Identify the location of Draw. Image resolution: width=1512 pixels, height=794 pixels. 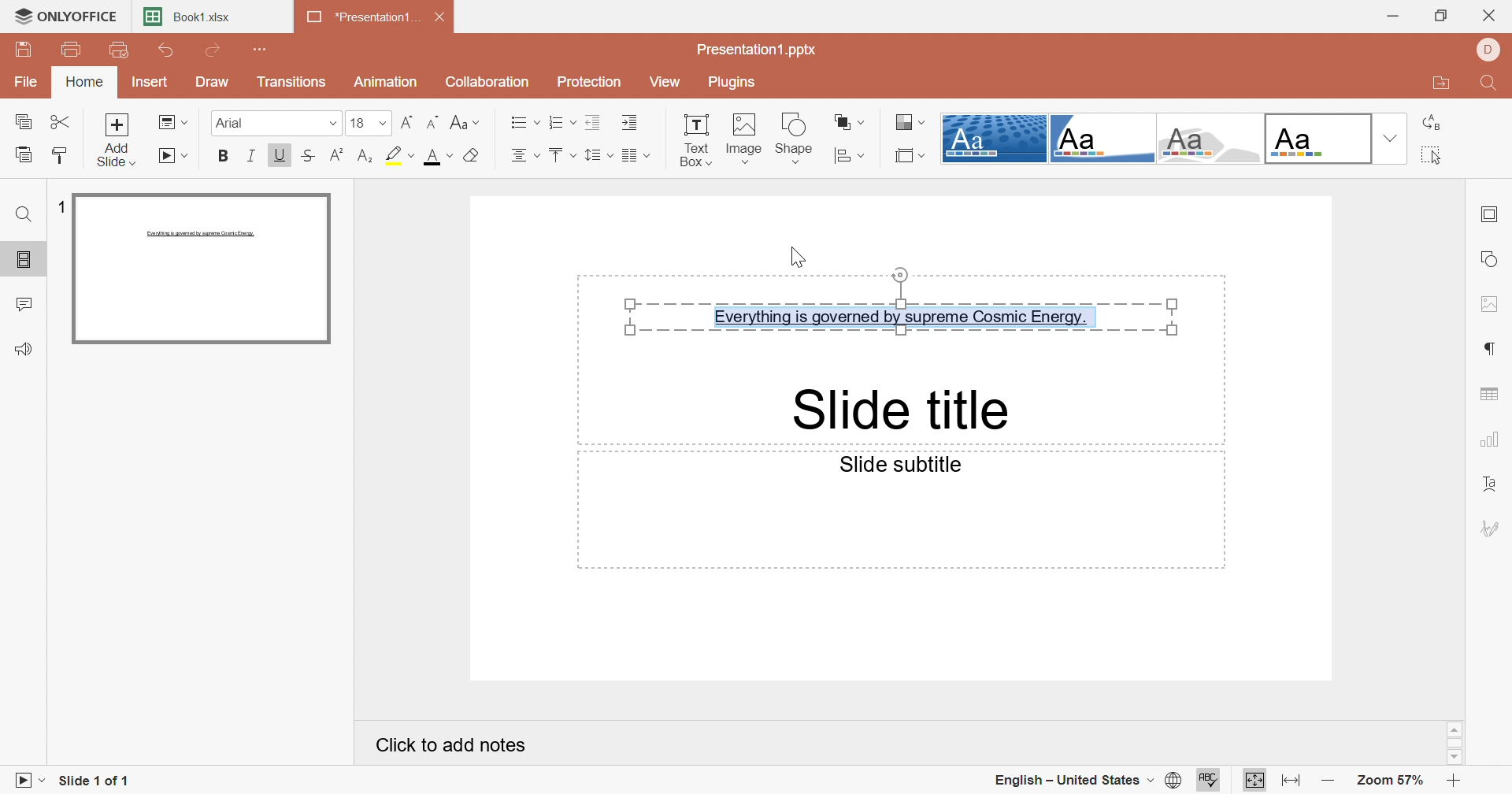
(213, 83).